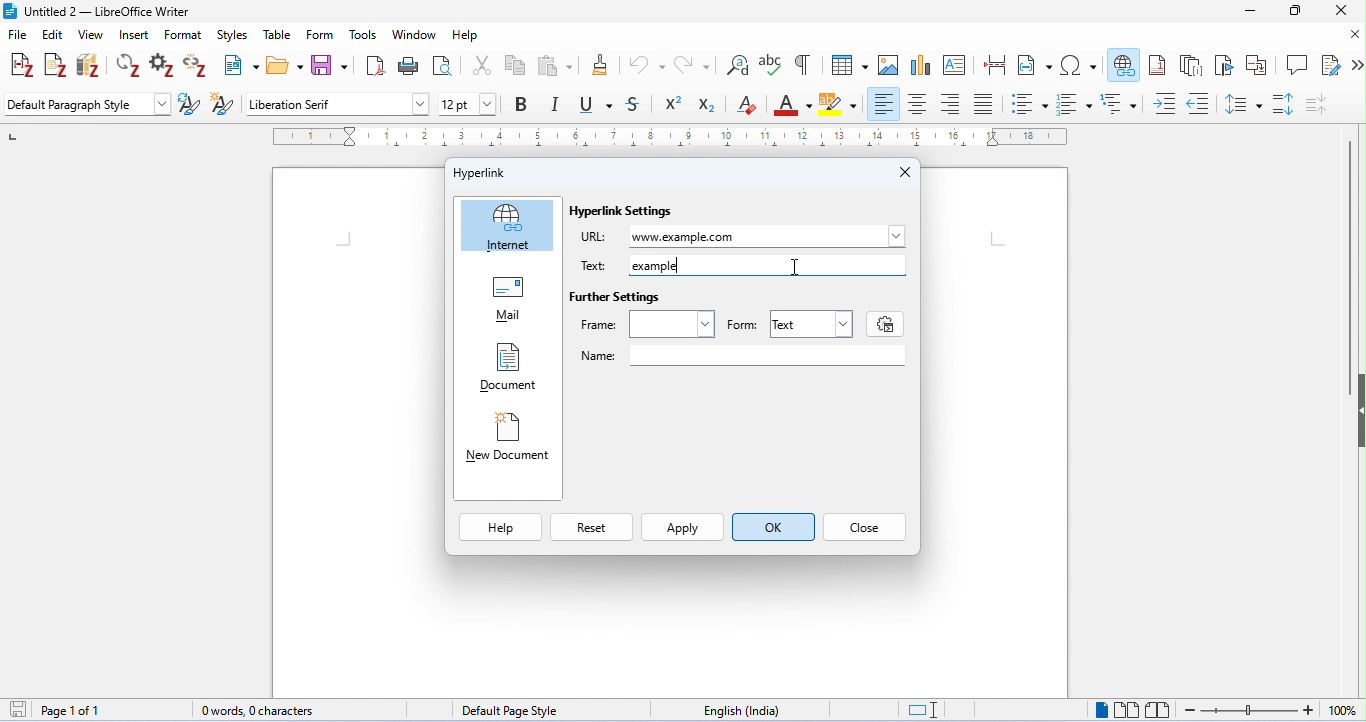 This screenshot has width=1366, height=722. I want to click on add/edit citations, so click(23, 67).